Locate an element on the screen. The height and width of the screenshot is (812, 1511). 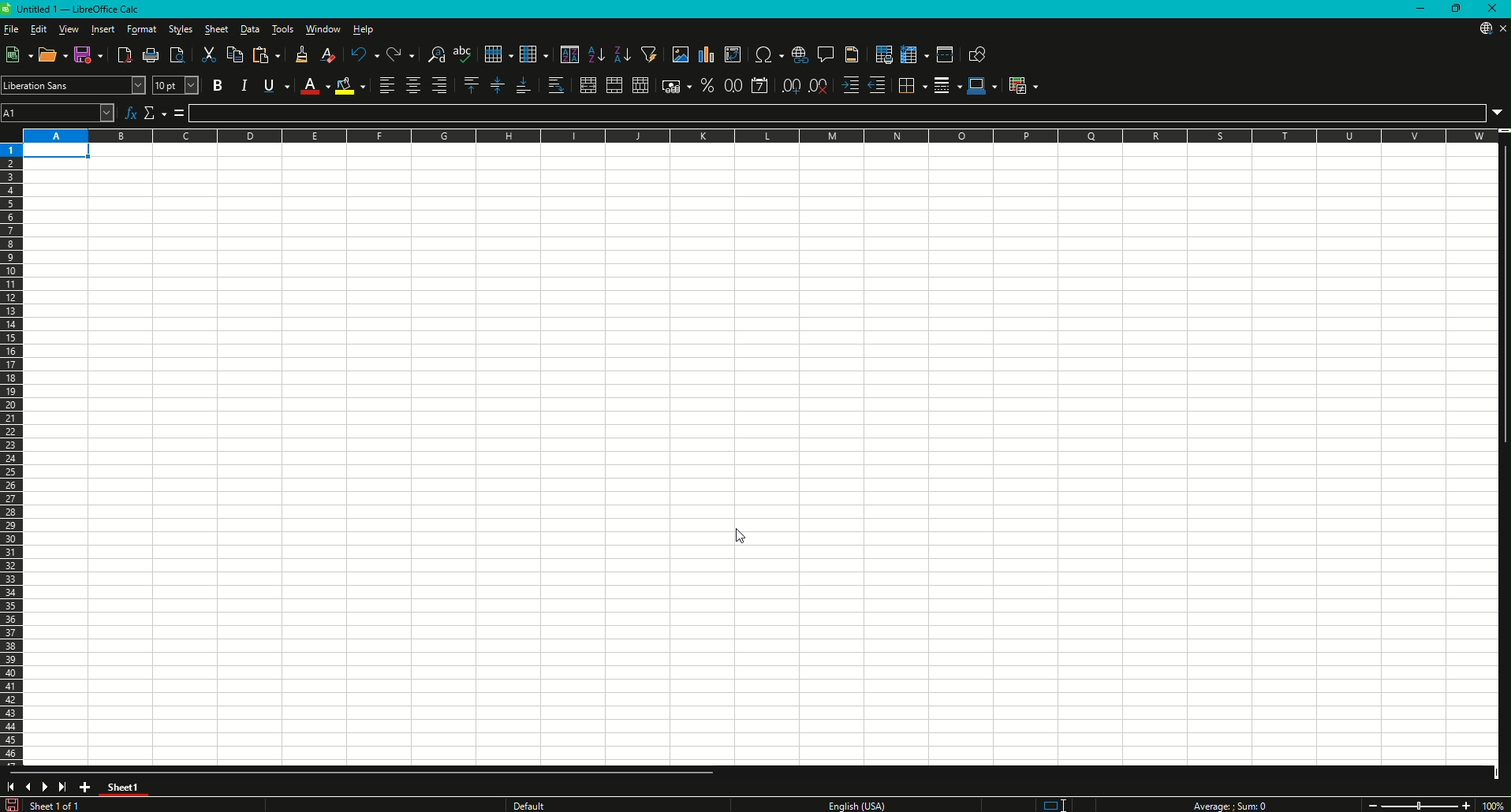
Format as Currency is located at coordinates (677, 85).